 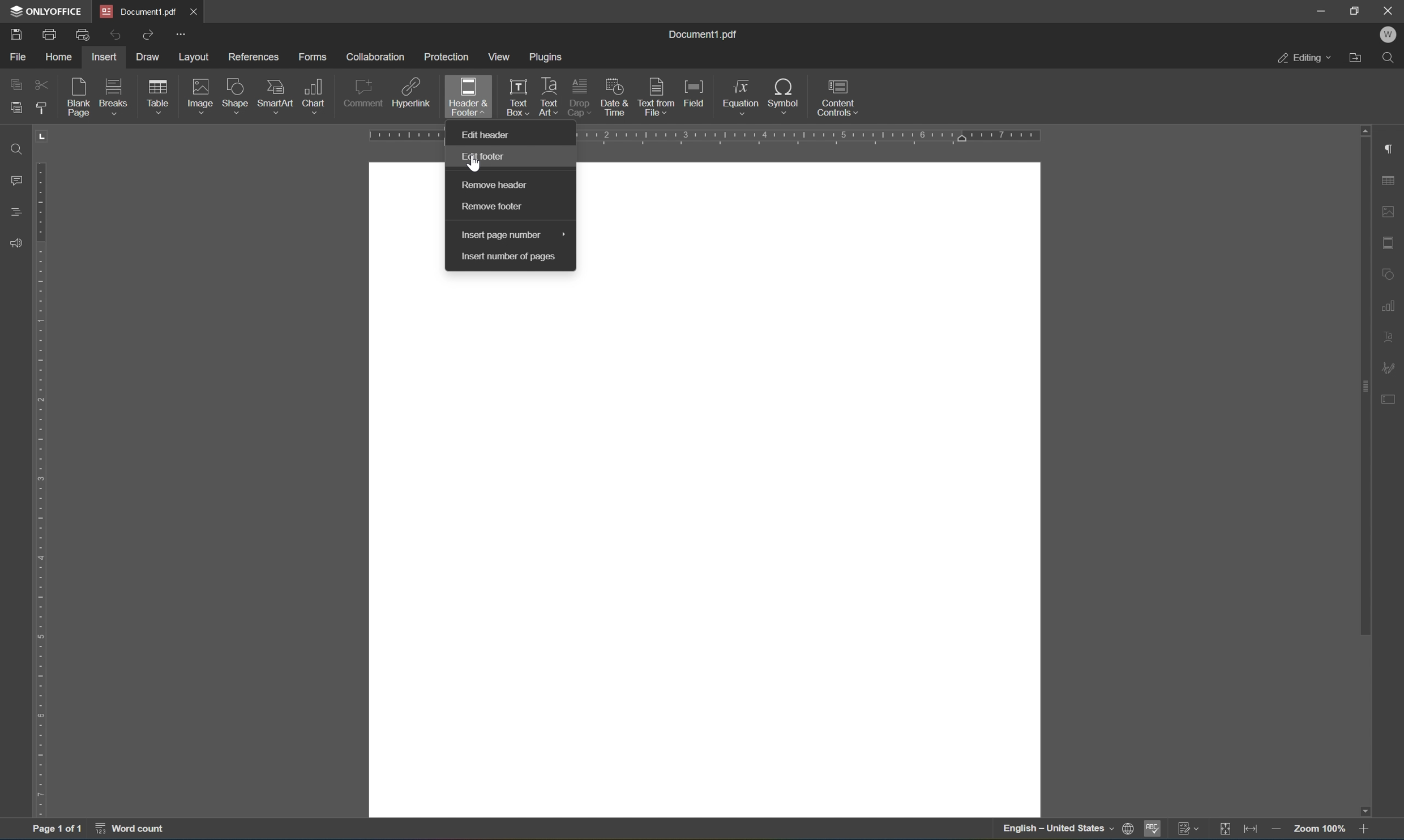 I want to click on scroll bar, so click(x=1361, y=380).